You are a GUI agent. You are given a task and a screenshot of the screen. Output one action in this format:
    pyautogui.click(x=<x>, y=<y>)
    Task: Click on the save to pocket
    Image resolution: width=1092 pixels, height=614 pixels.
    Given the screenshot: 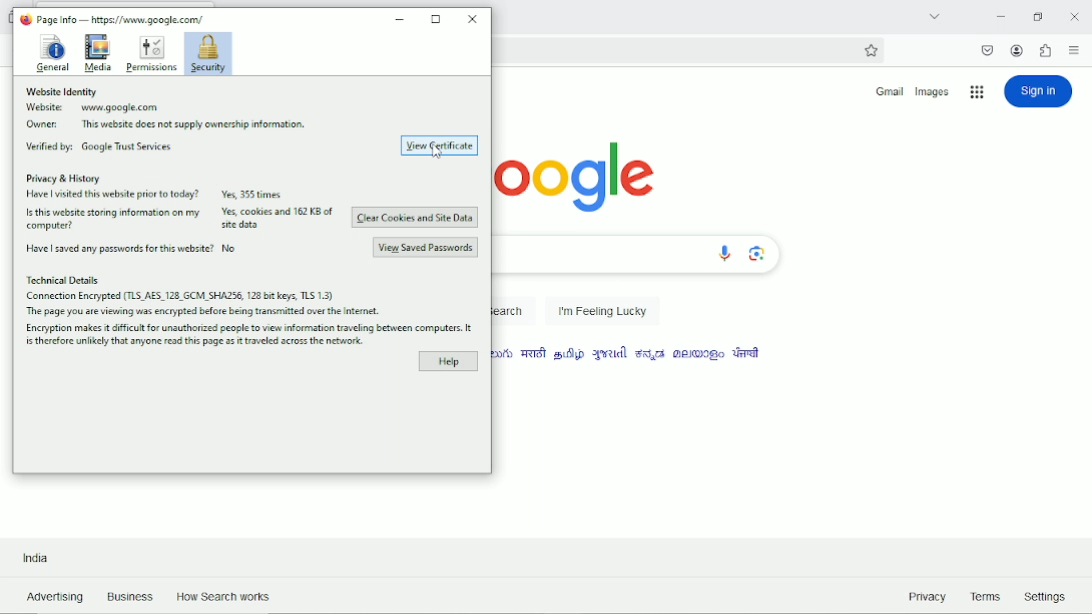 What is the action you would take?
    pyautogui.click(x=988, y=50)
    